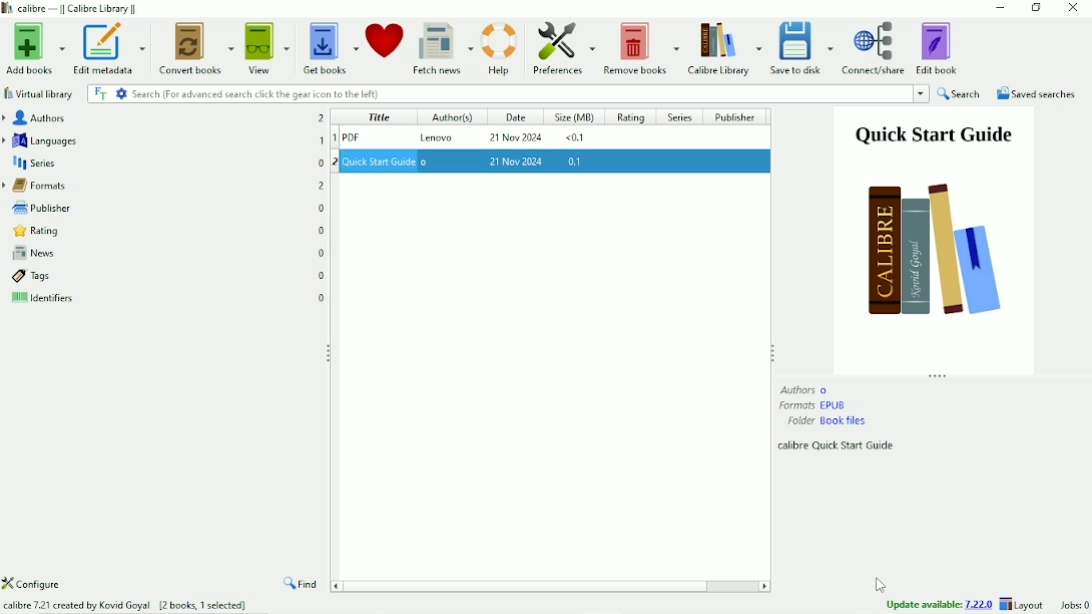  Describe the element at coordinates (1035, 9) in the screenshot. I see `Restore down` at that location.